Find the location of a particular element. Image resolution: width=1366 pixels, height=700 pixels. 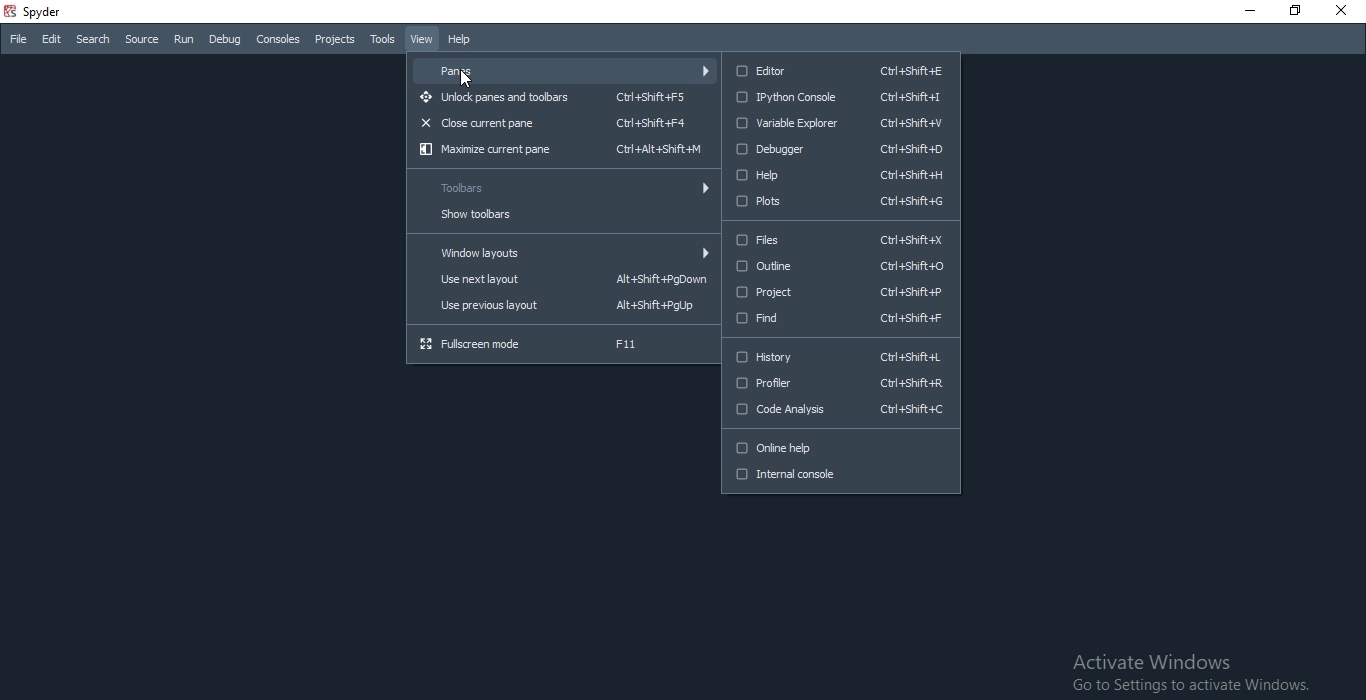

Help is located at coordinates (840, 174).